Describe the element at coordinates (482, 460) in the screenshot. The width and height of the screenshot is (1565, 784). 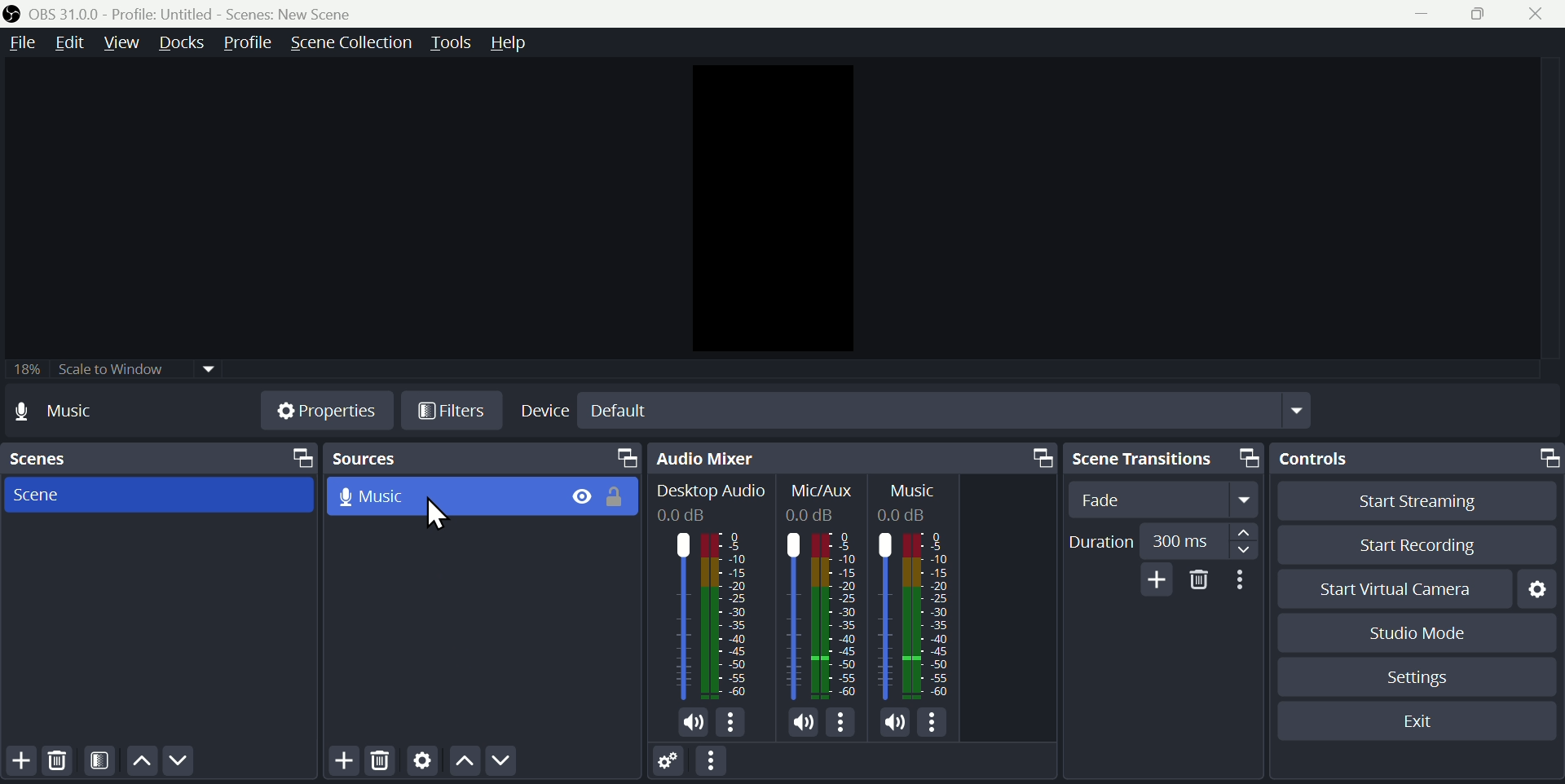
I see `Sources` at that location.